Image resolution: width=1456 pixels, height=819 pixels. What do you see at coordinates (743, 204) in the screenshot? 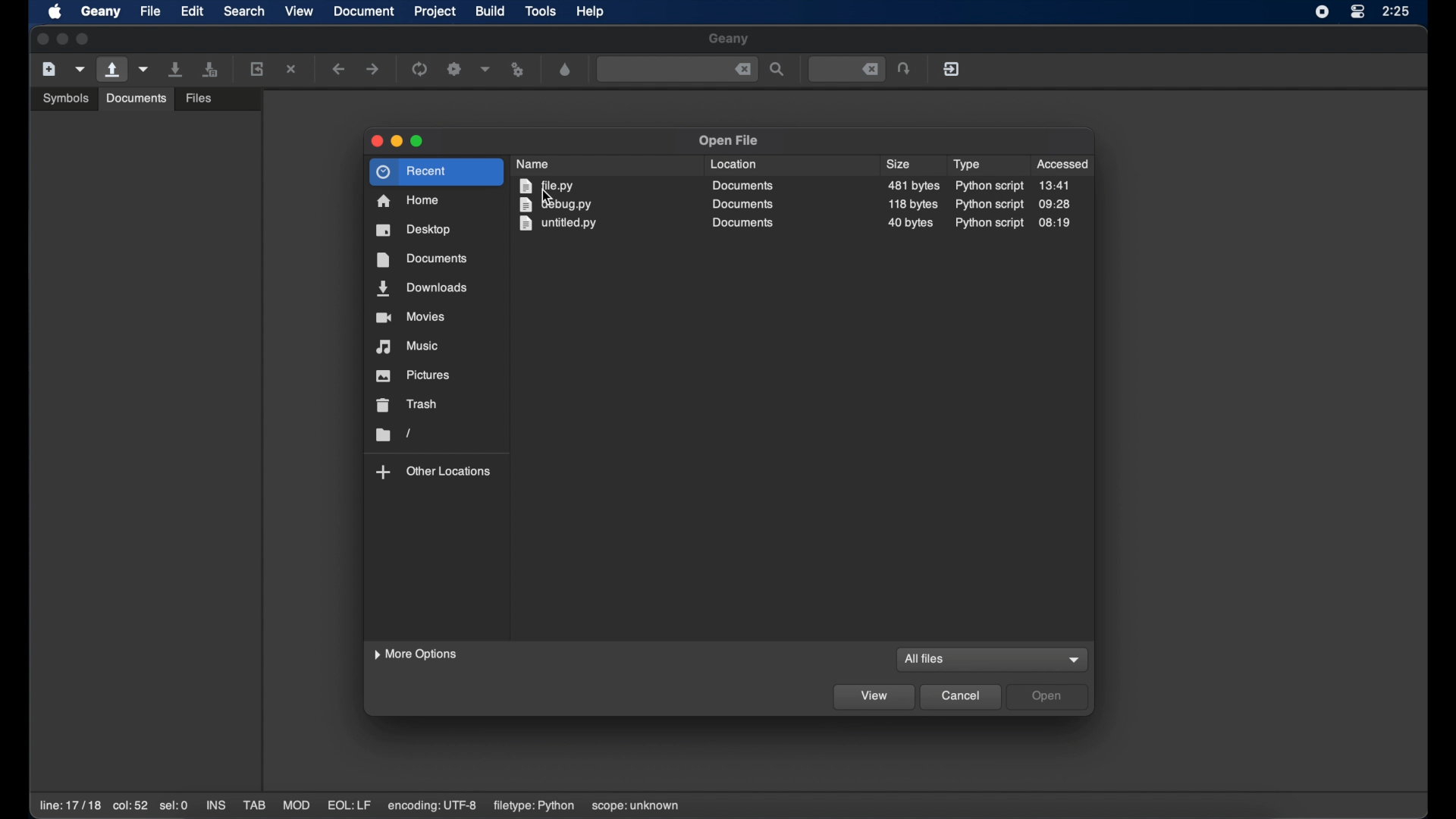
I see `documents` at bounding box center [743, 204].